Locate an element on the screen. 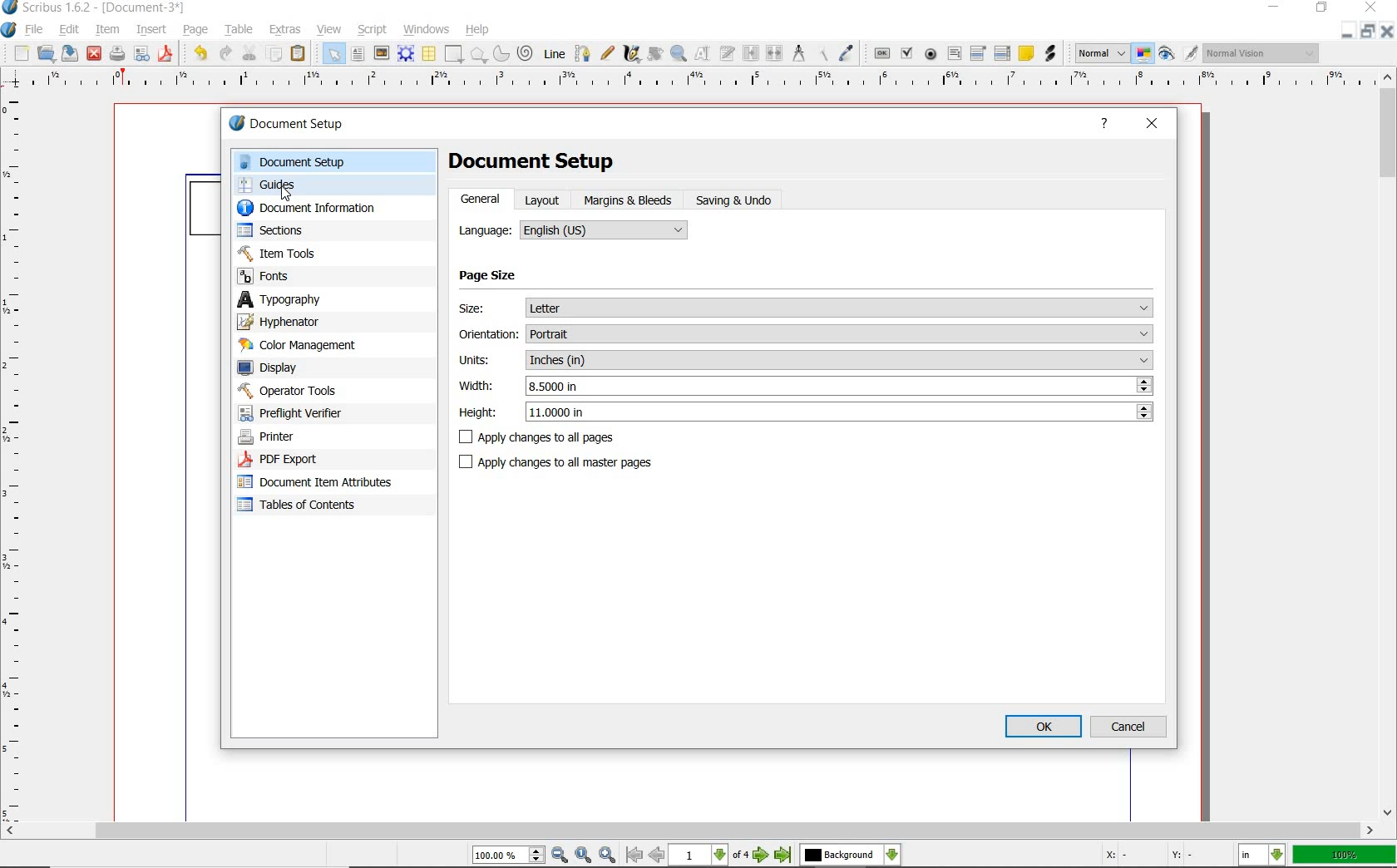 This screenshot has width=1397, height=868. copy is located at coordinates (274, 56).